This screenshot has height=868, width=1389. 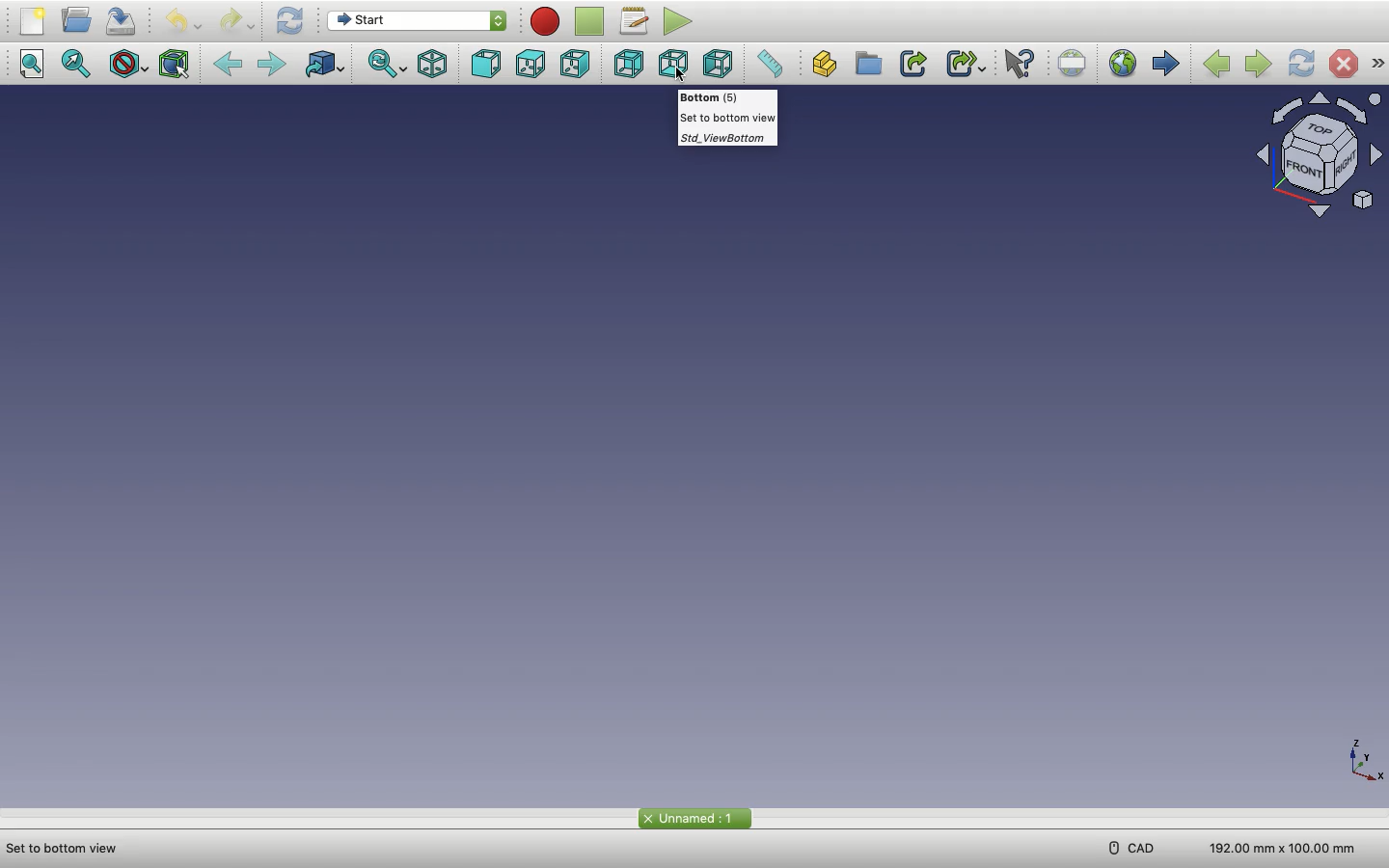 I want to click on New, so click(x=34, y=24).